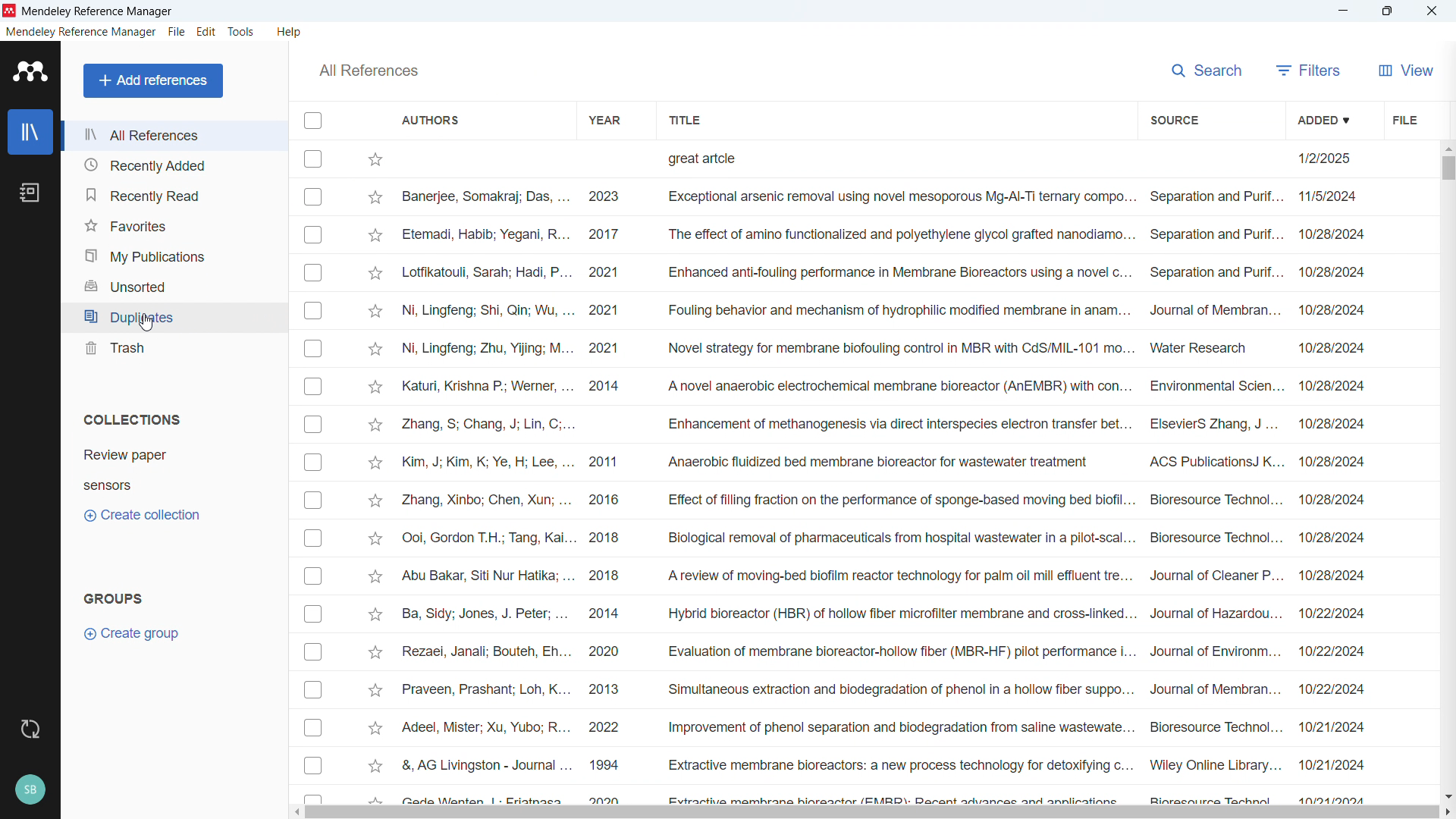 The width and height of the screenshot is (1456, 819). I want to click on Profile , so click(30, 787).